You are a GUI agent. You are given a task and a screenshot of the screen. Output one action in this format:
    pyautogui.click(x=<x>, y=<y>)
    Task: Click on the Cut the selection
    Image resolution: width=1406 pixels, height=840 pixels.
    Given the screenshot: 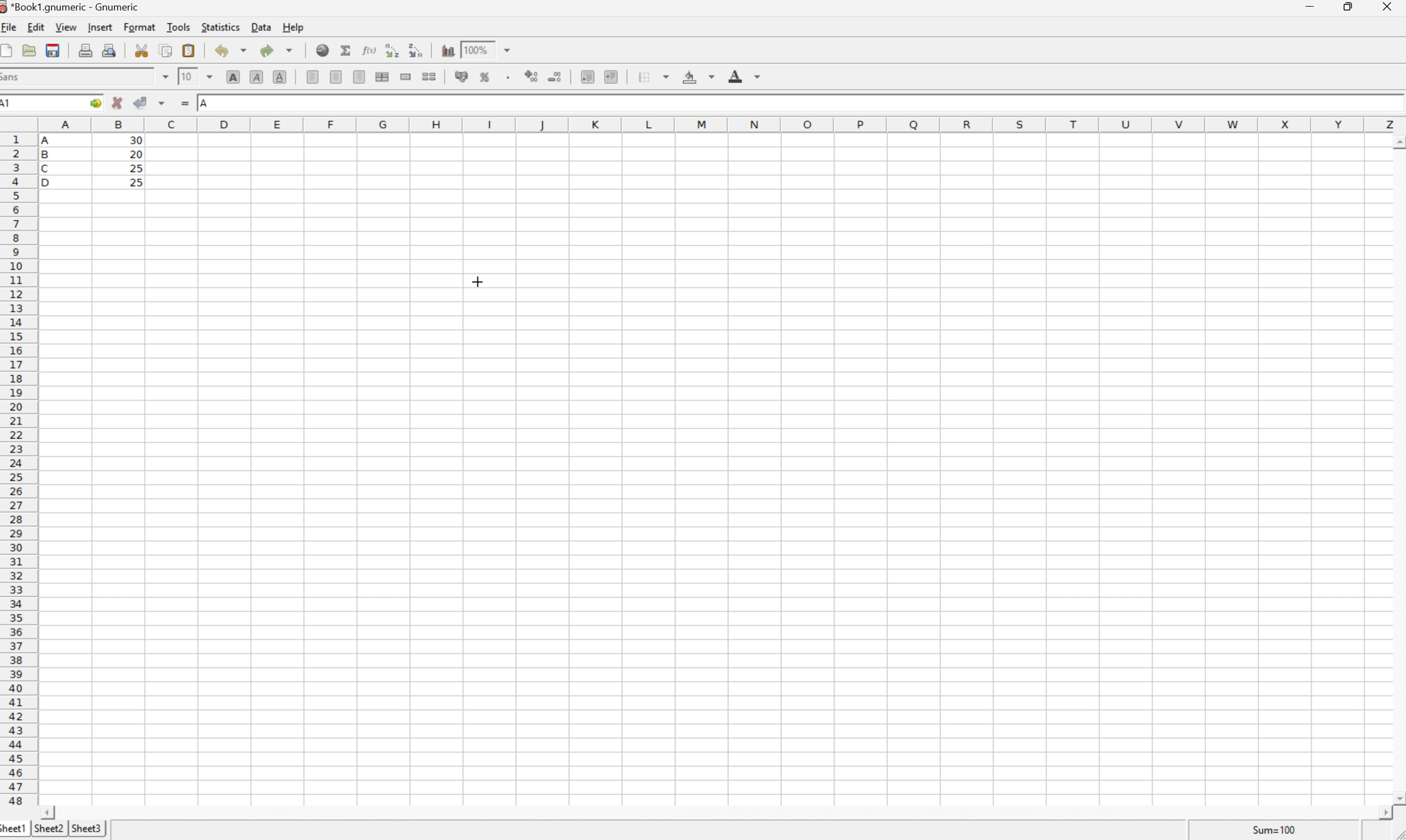 What is the action you would take?
    pyautogui.click(x=144, y=50)
    